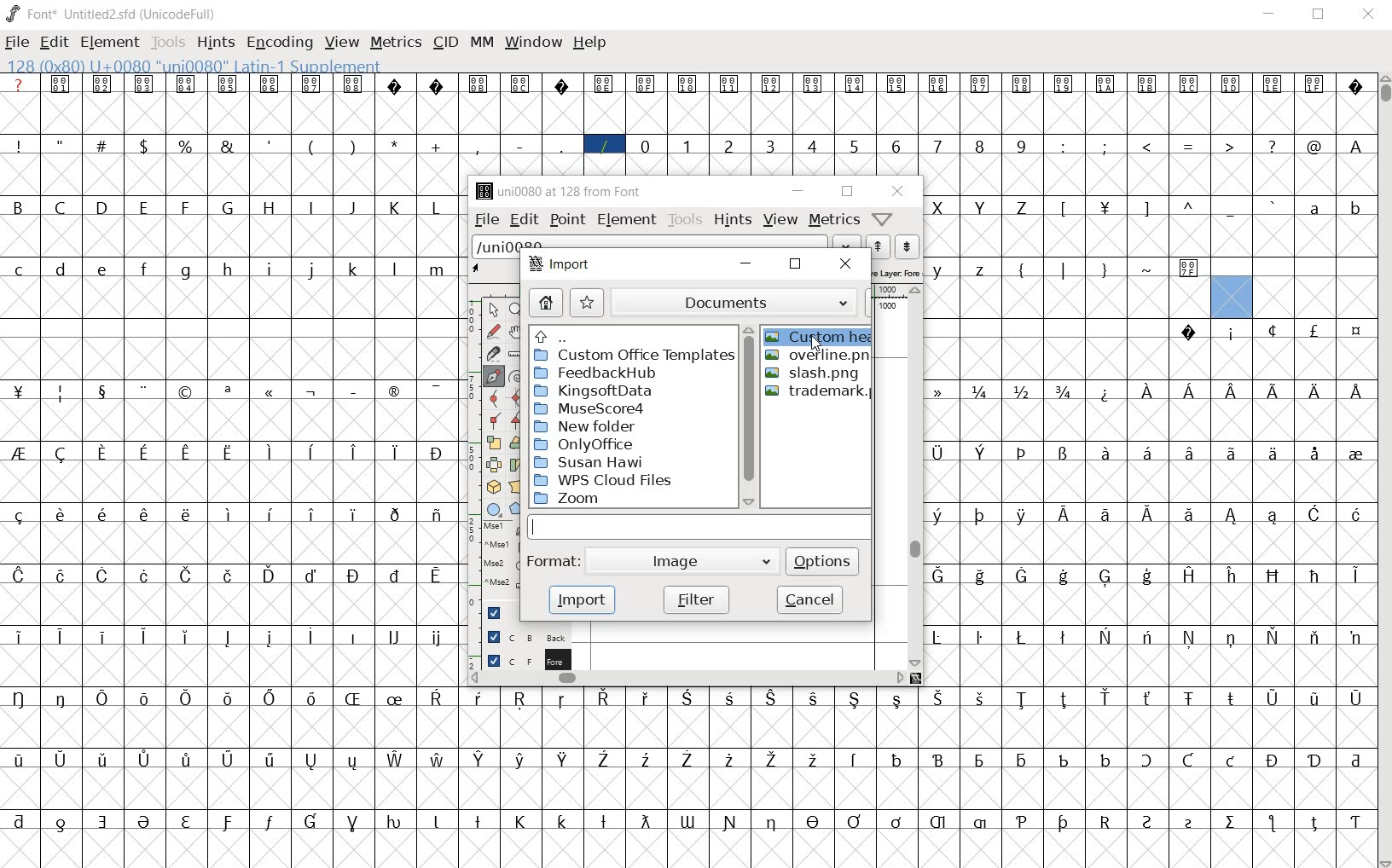 The height and width of the screenshot is (868, 1392). What do you see at coordinates (604, 146) in the screenshot?
I see `glyph` at bounding box center [604, 146].